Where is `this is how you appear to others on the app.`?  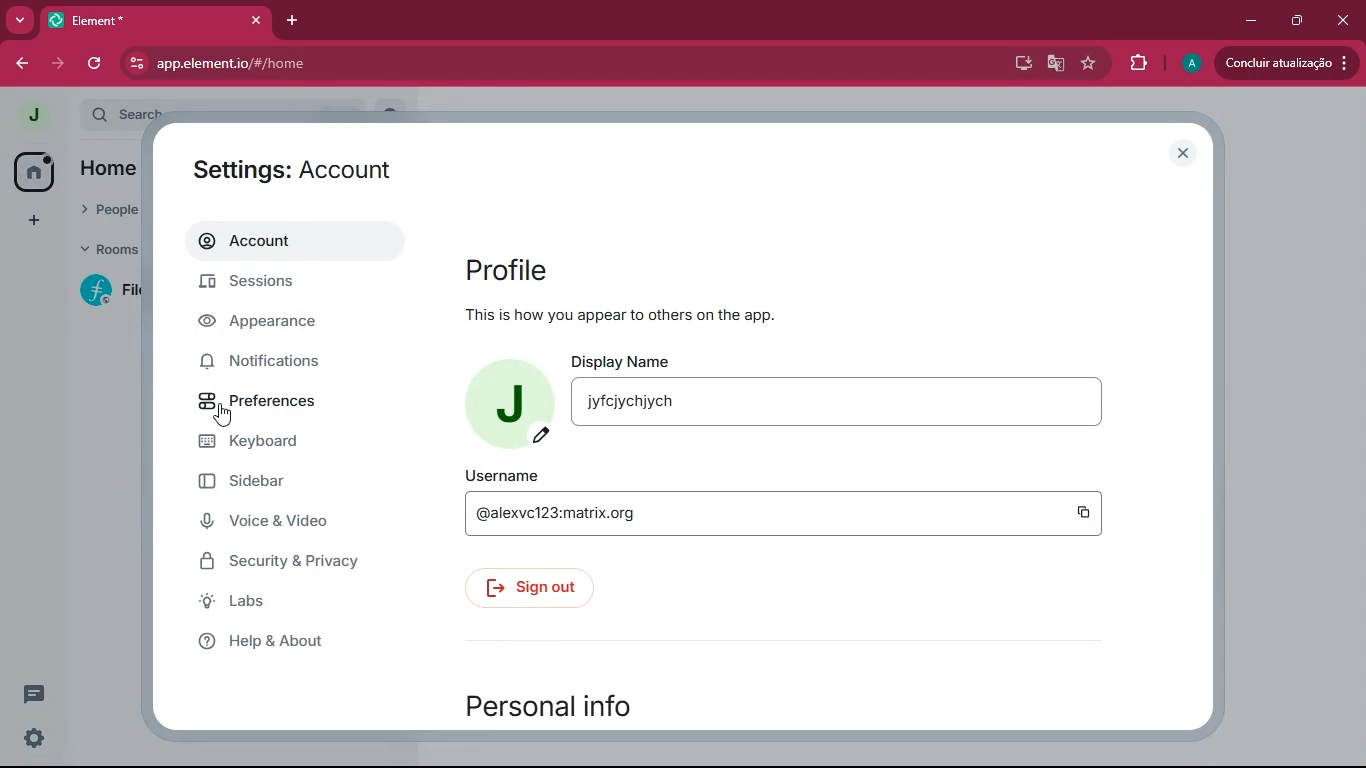
this is how you appear to others on the app. is located at coordinates (622, 314).